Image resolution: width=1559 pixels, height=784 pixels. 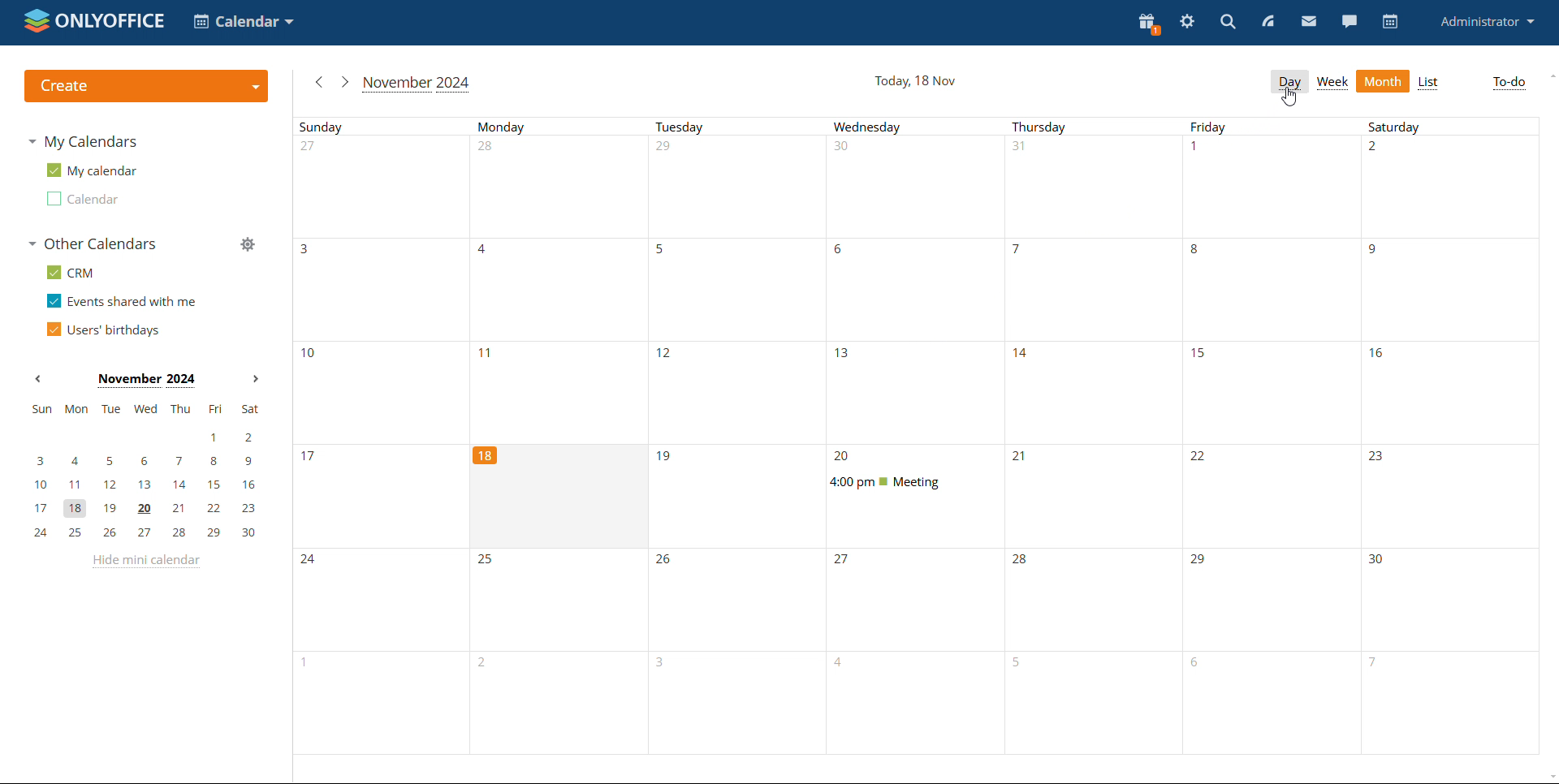 What do you see at coordinates (1149, 24) in the screenshot?
I see `present` at bounding box center [1149, 24].